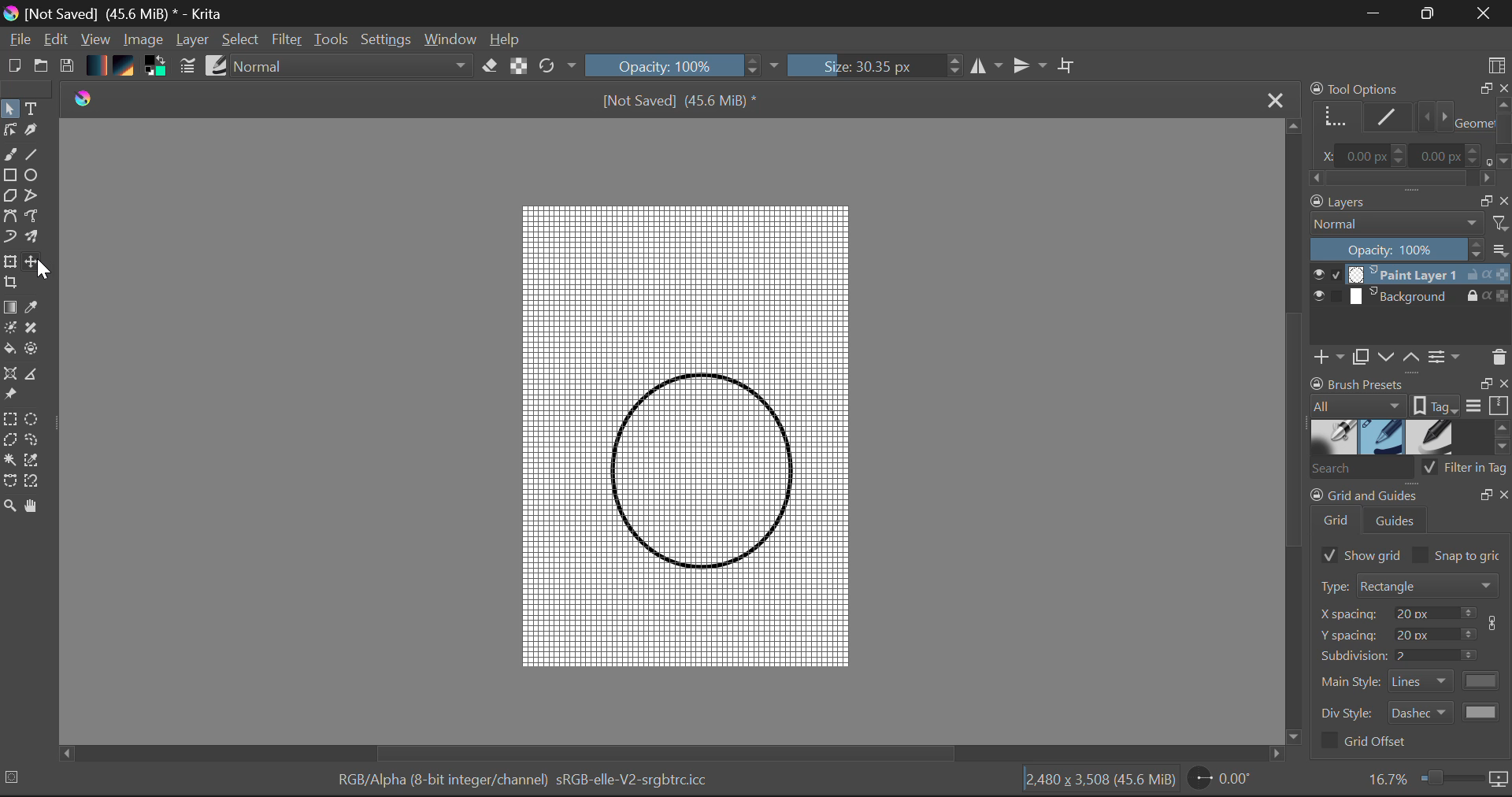 The image size is (1512, 797). Describe the element at coordinates (187, 67) in the screenshot. I see `Brush Settings` at that location.